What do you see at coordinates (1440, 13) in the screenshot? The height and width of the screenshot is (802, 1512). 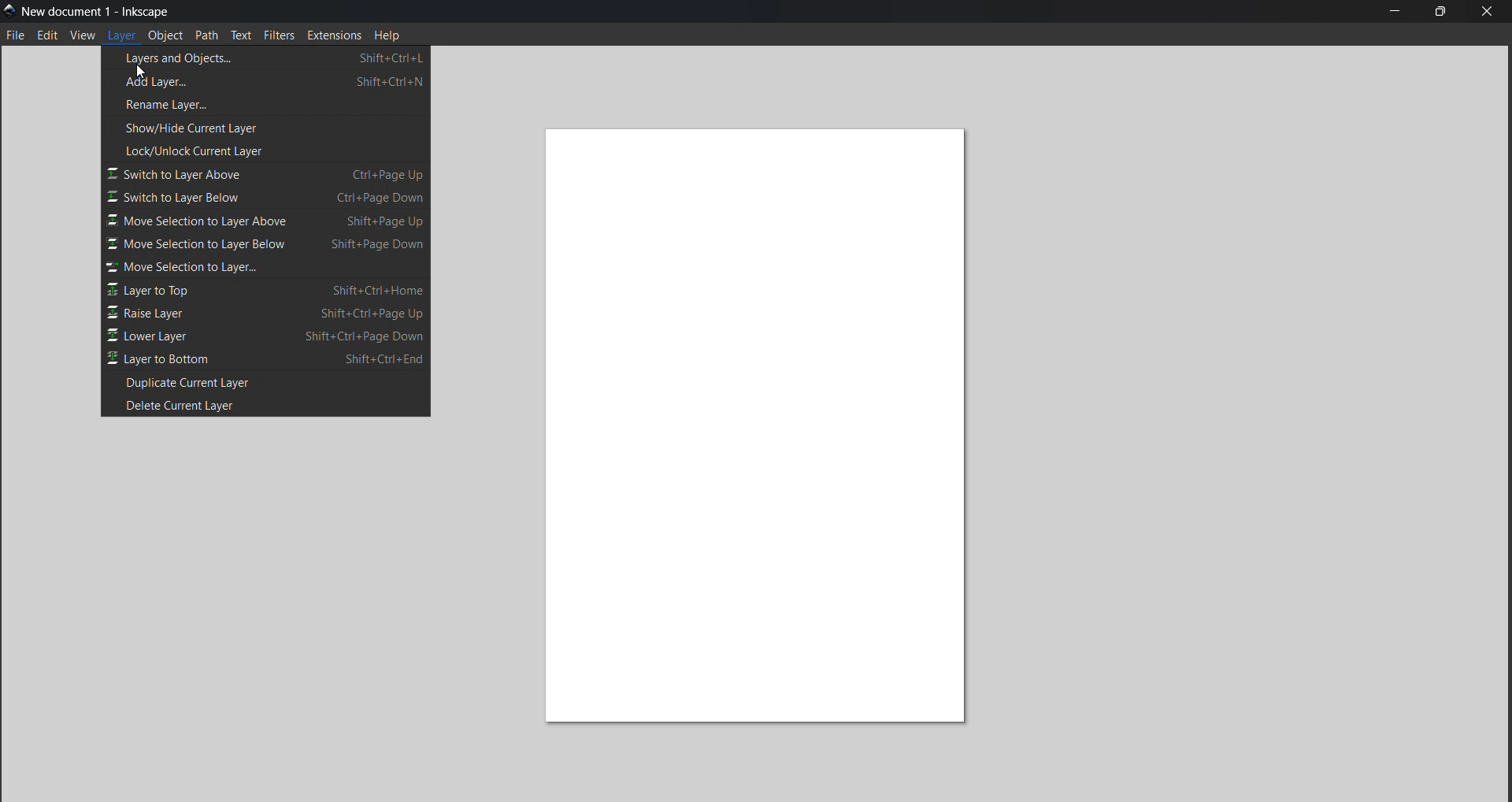 I see `maximize` at bounding box center [1440, 13].